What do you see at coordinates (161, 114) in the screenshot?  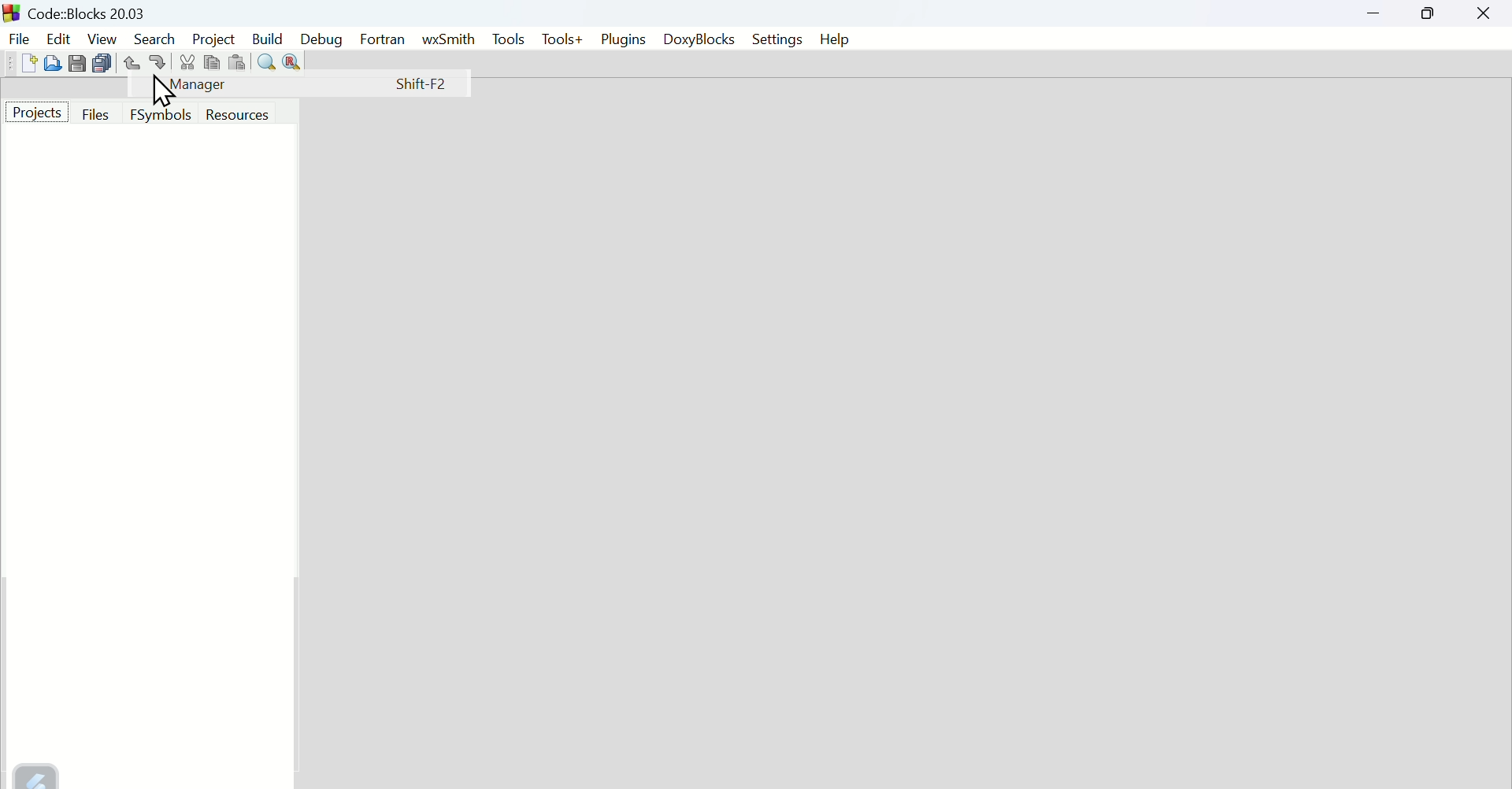 I see `F symbols` at bounding box center [161, 114].